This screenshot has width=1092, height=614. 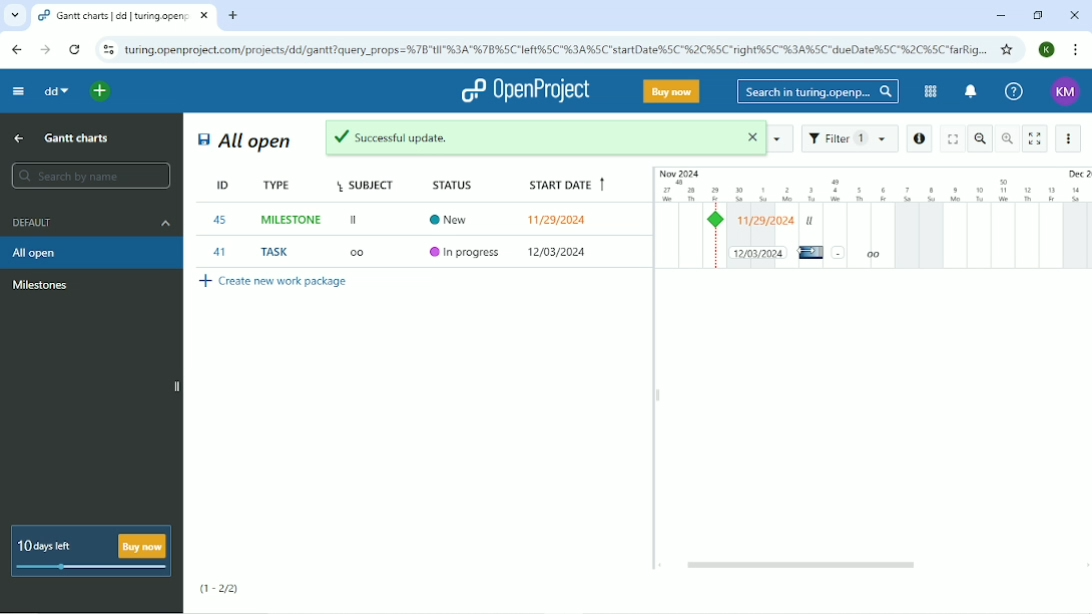 What do you see at coordinates (278, 252) in the screenshot?
I see `TASK` at bounding box center [278, 252].